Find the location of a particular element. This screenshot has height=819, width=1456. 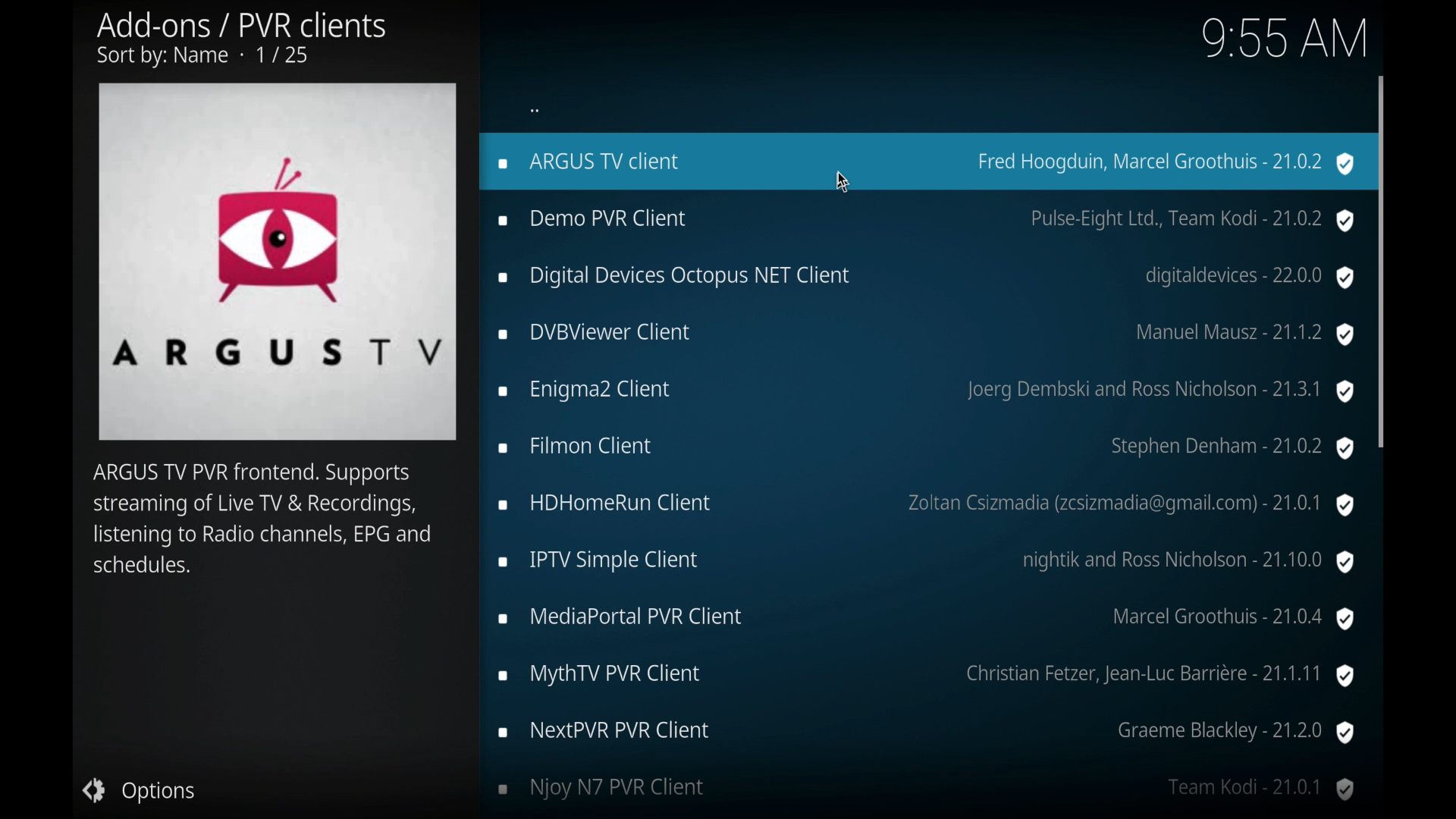

demo pvr client is located at coordinates (927, 220).